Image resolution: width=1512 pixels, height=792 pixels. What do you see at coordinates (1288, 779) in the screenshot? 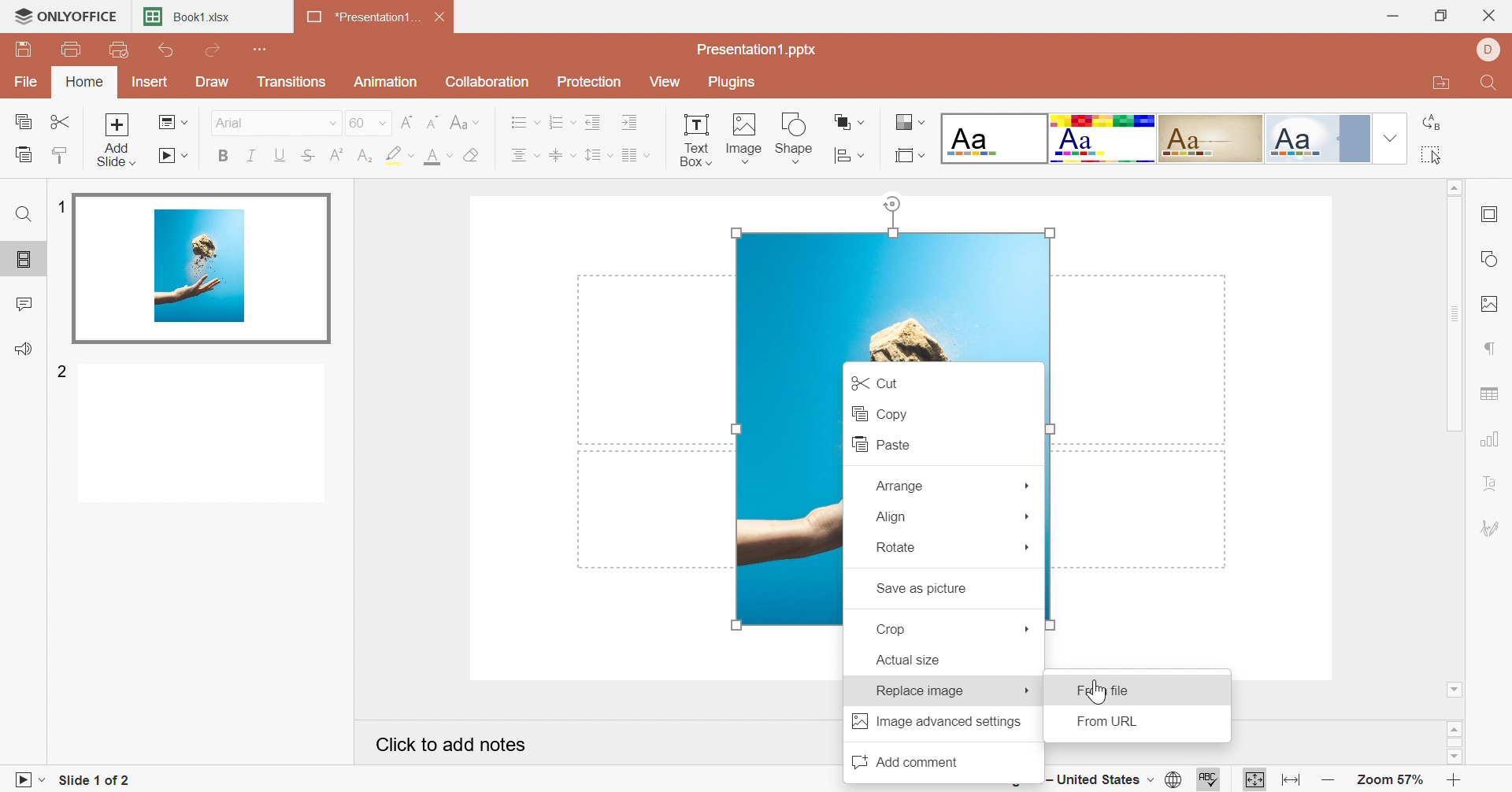
I see `Fit to width` at bounding box center [1288, 779].